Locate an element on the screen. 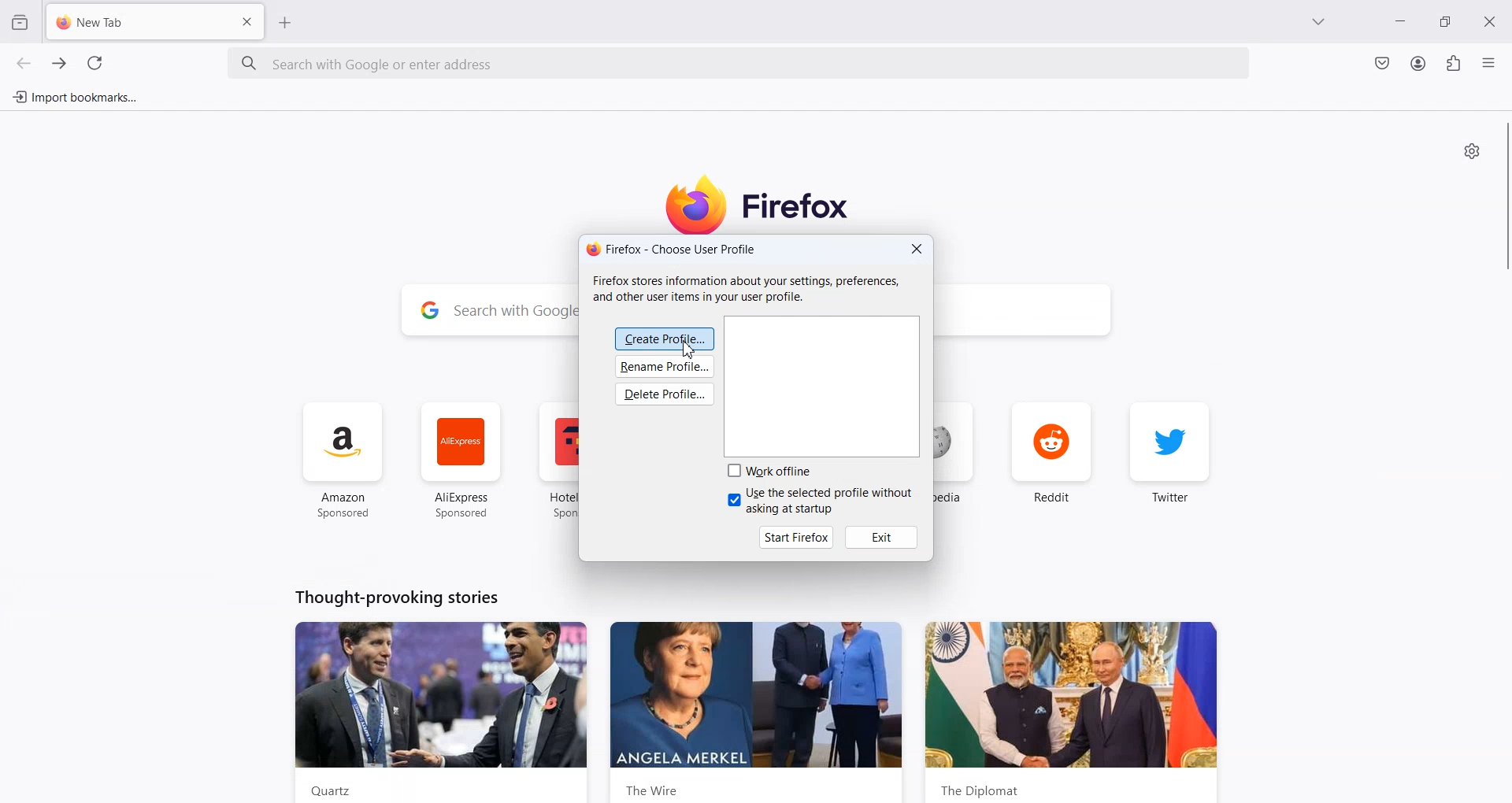 The height and width of the screenshot is (803, 1512). Maximize is located at coordinates (1448, 22).